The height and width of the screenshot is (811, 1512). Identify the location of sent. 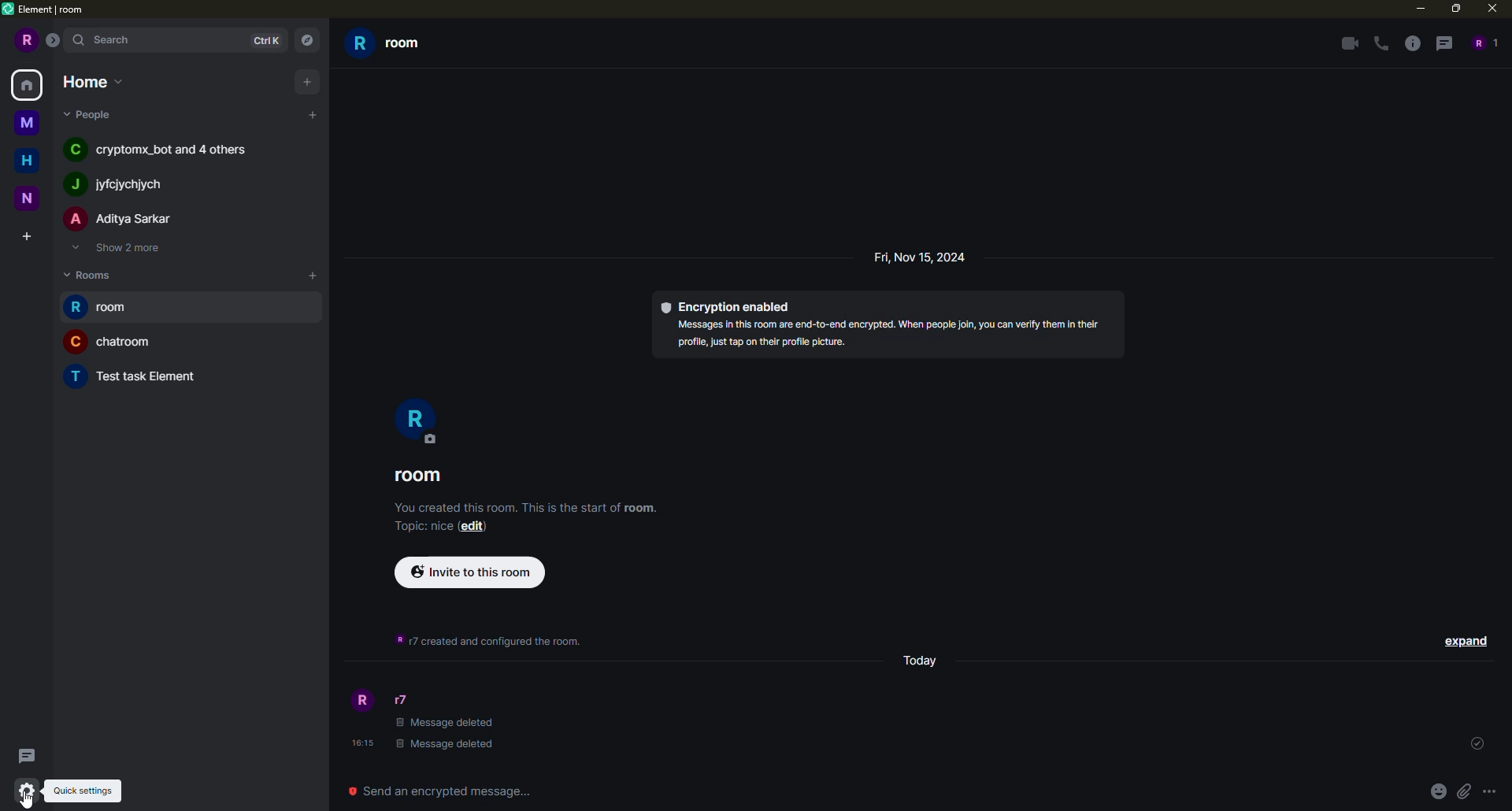
(1474, 744).